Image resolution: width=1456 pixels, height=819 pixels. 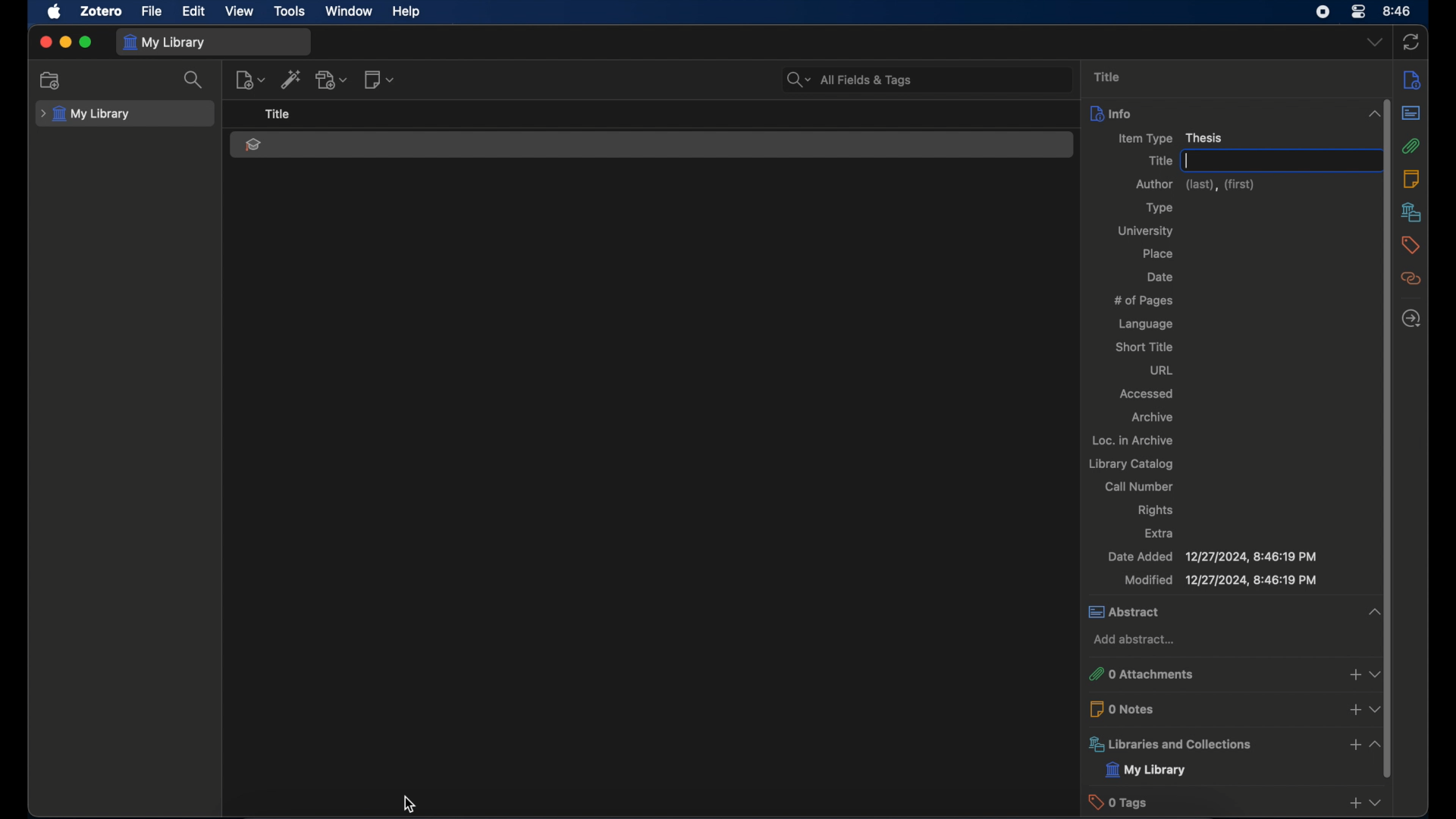 What do you see at coordinates (293, 80) in the screenshot?
I see `add item by identifier` at bounding box center [293, 80].